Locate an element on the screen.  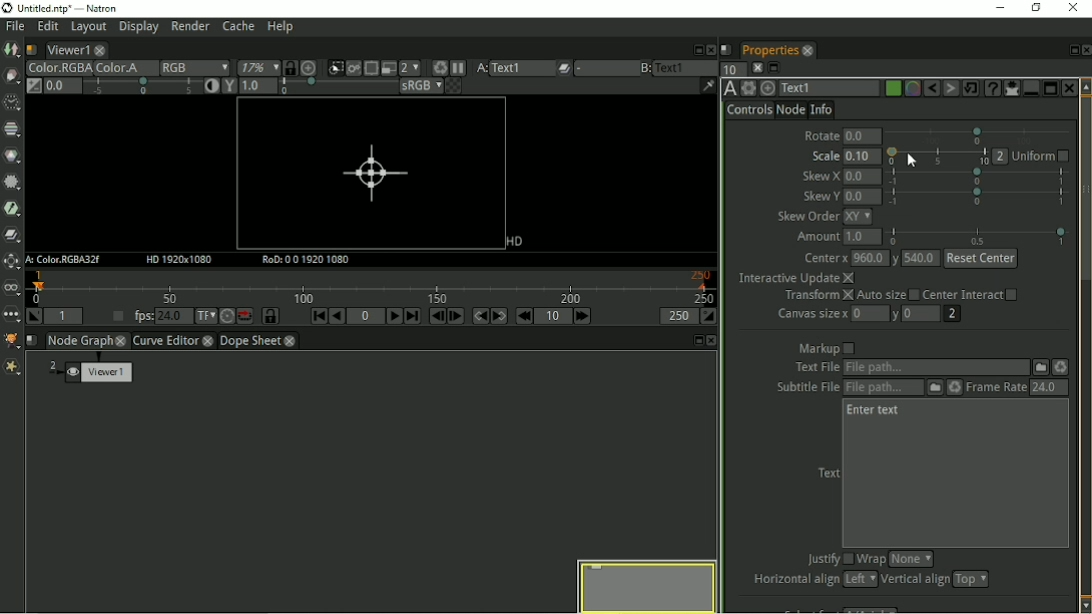
Overlay color is located at coordinates (910, 89).